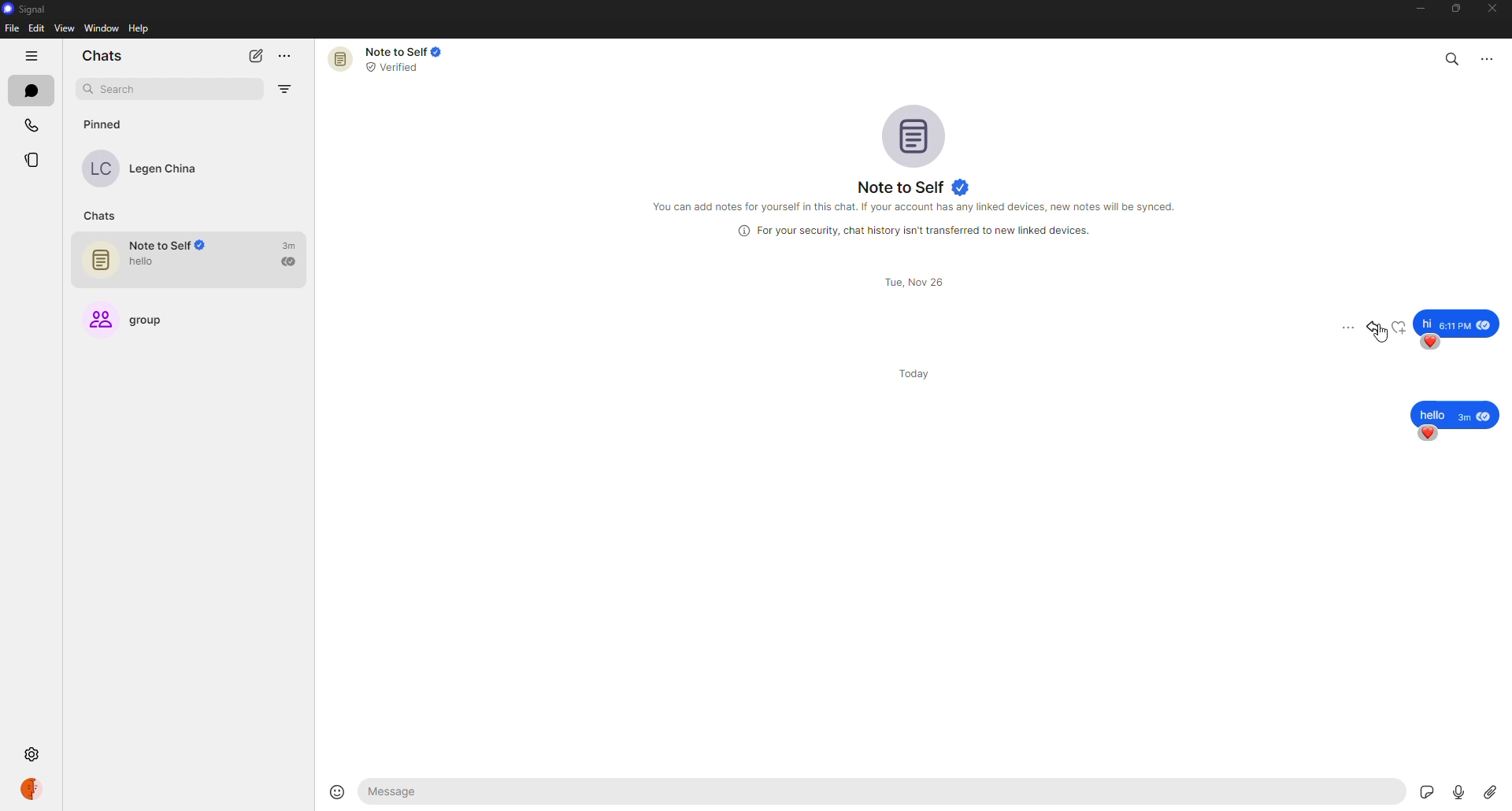 This screenshot has width=1512, height=811. I want to click on signal, so click(26, 9).